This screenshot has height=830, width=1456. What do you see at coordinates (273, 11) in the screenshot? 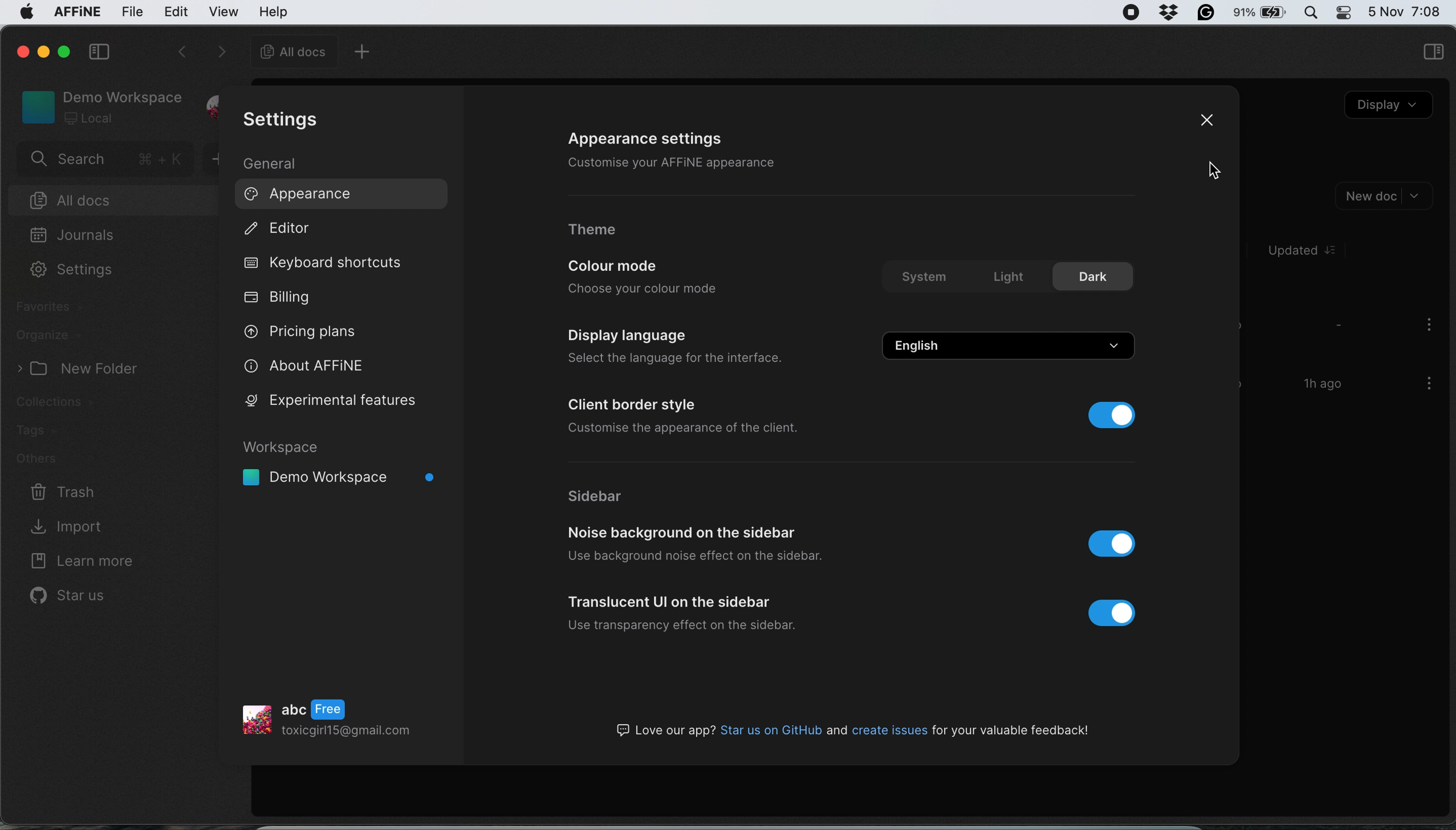
I see `help` at bounding box center [273, 11].